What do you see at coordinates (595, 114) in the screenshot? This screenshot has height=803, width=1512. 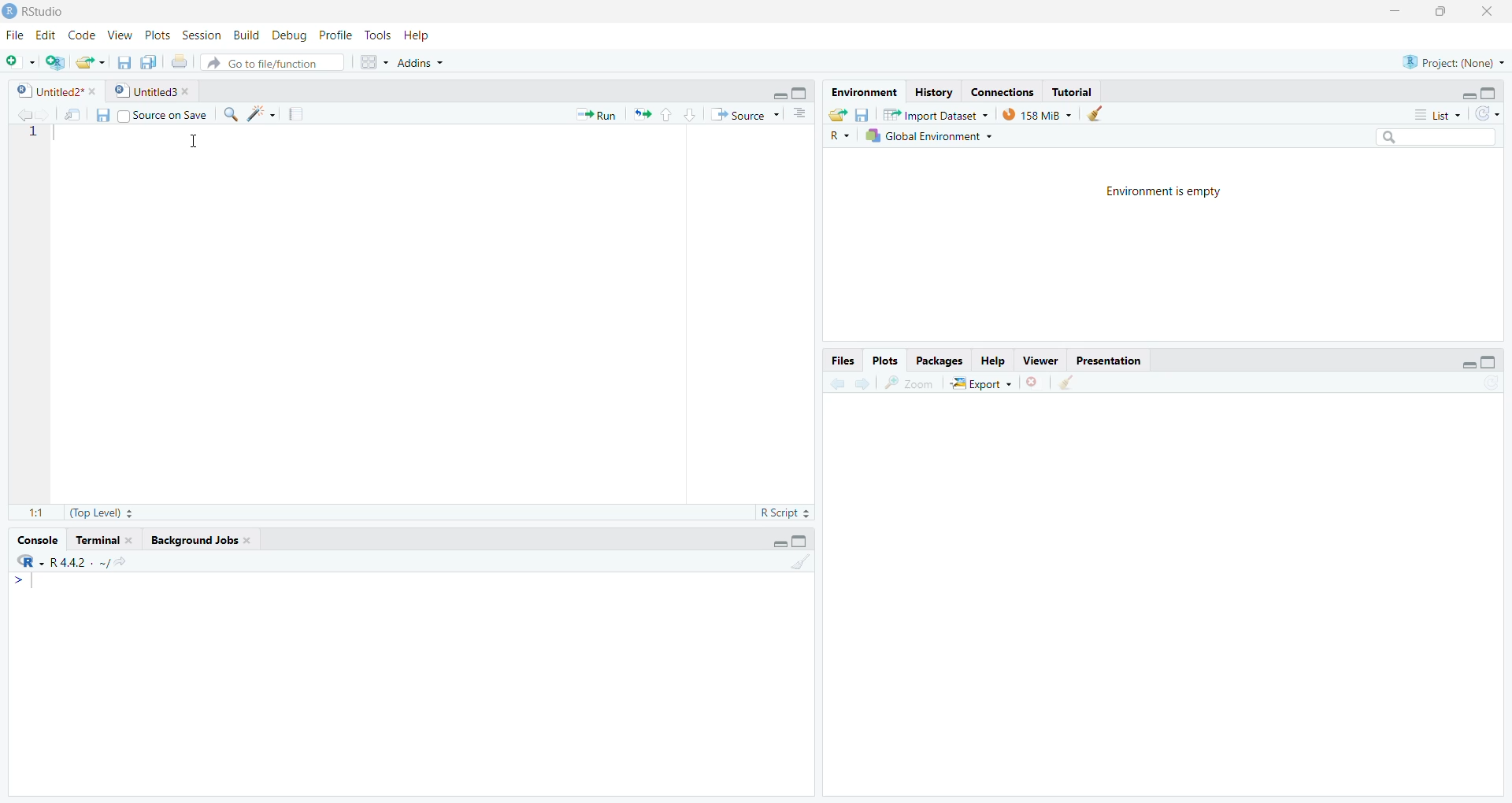 I see `Run` at bounding box center [595, 114].